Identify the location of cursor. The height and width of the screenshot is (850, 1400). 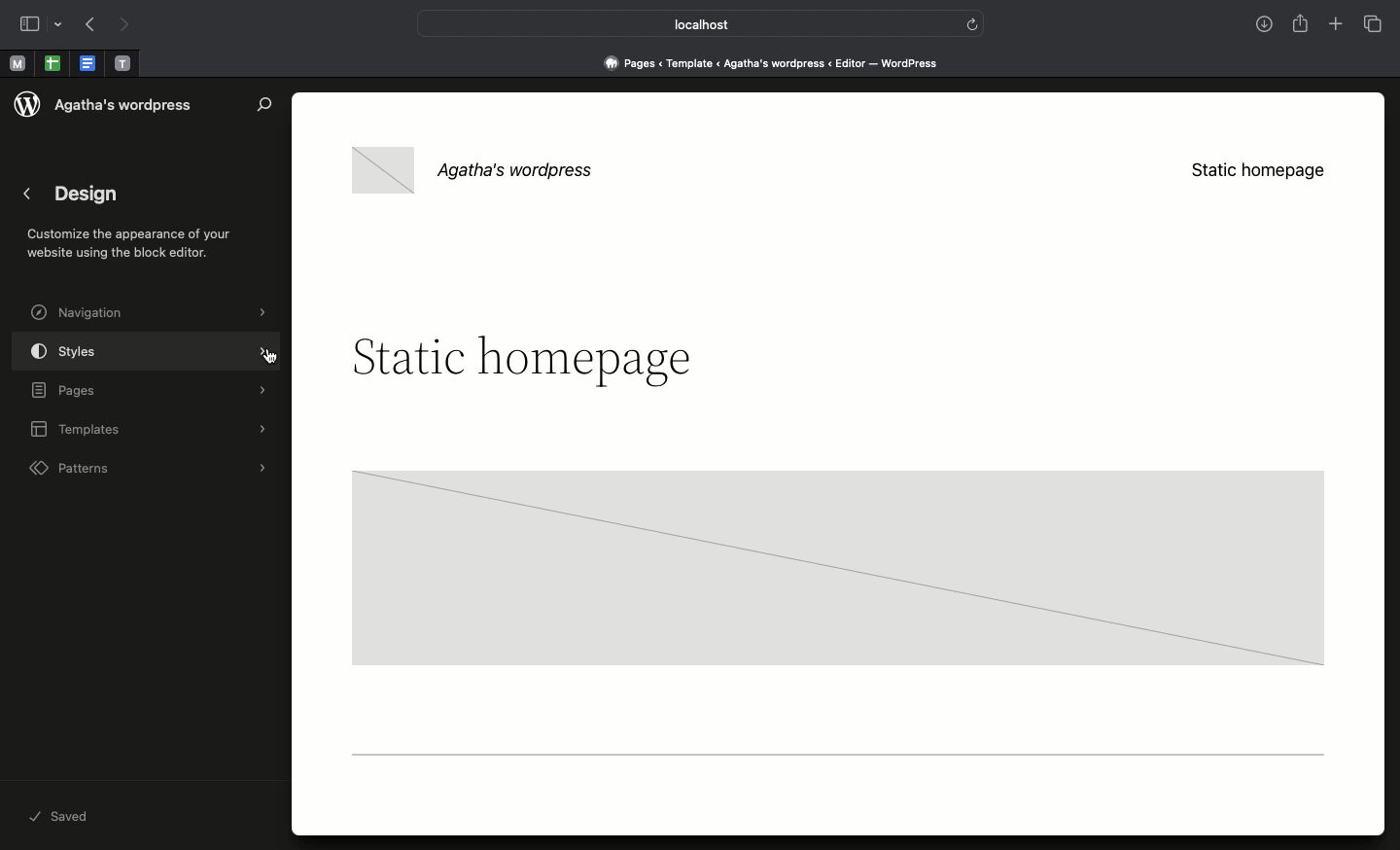
(270, 356).